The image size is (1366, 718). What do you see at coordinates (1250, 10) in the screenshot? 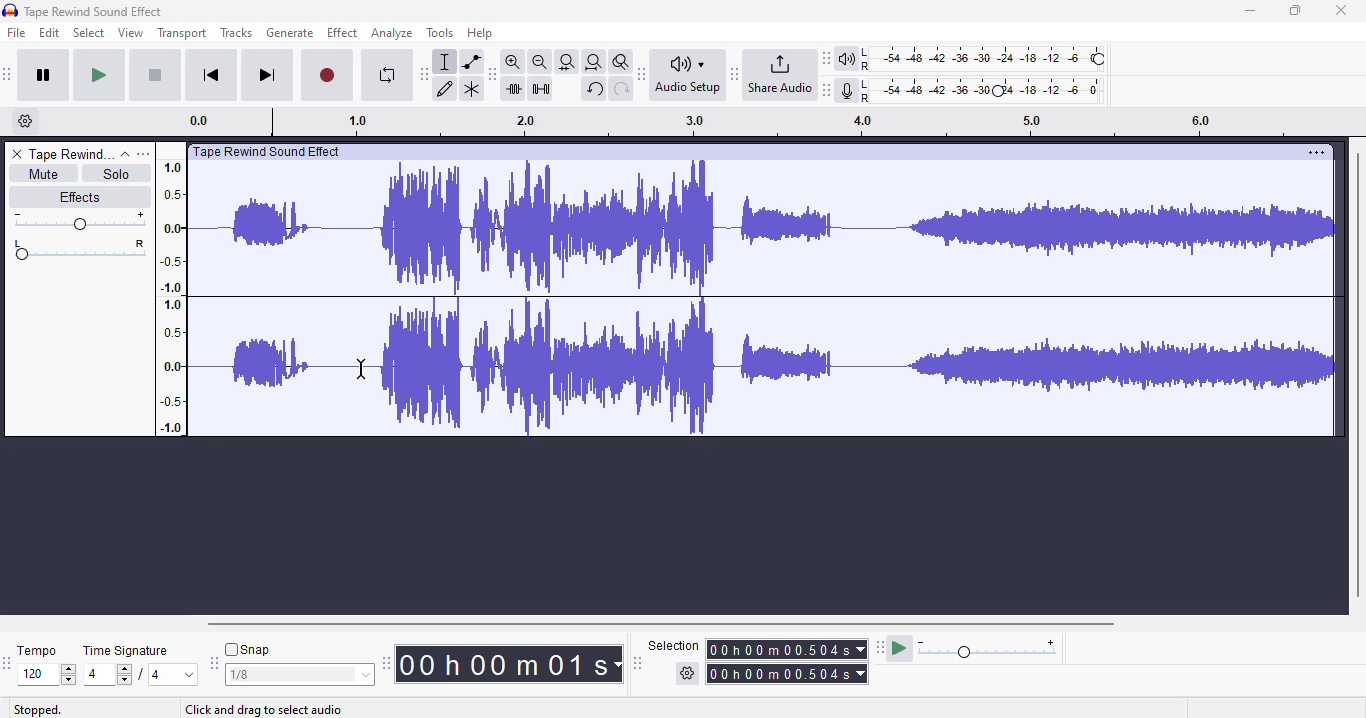
I see `minimize` at bounding box center [1250, 10].